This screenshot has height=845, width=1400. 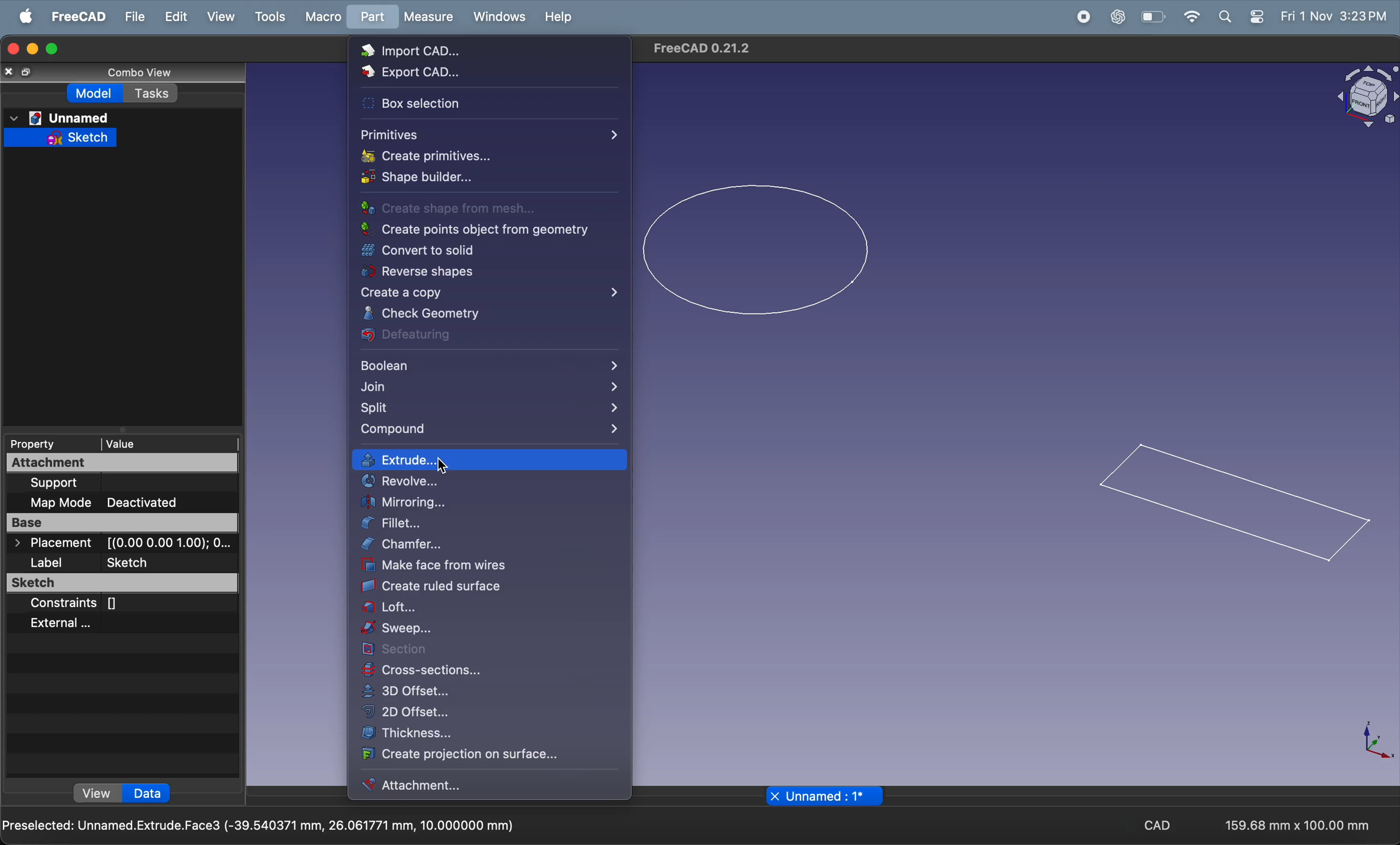 What do you see at coordinates (421, 175) in the screenshot?
I see `Shape builder...` at bounding box center [421, 175].